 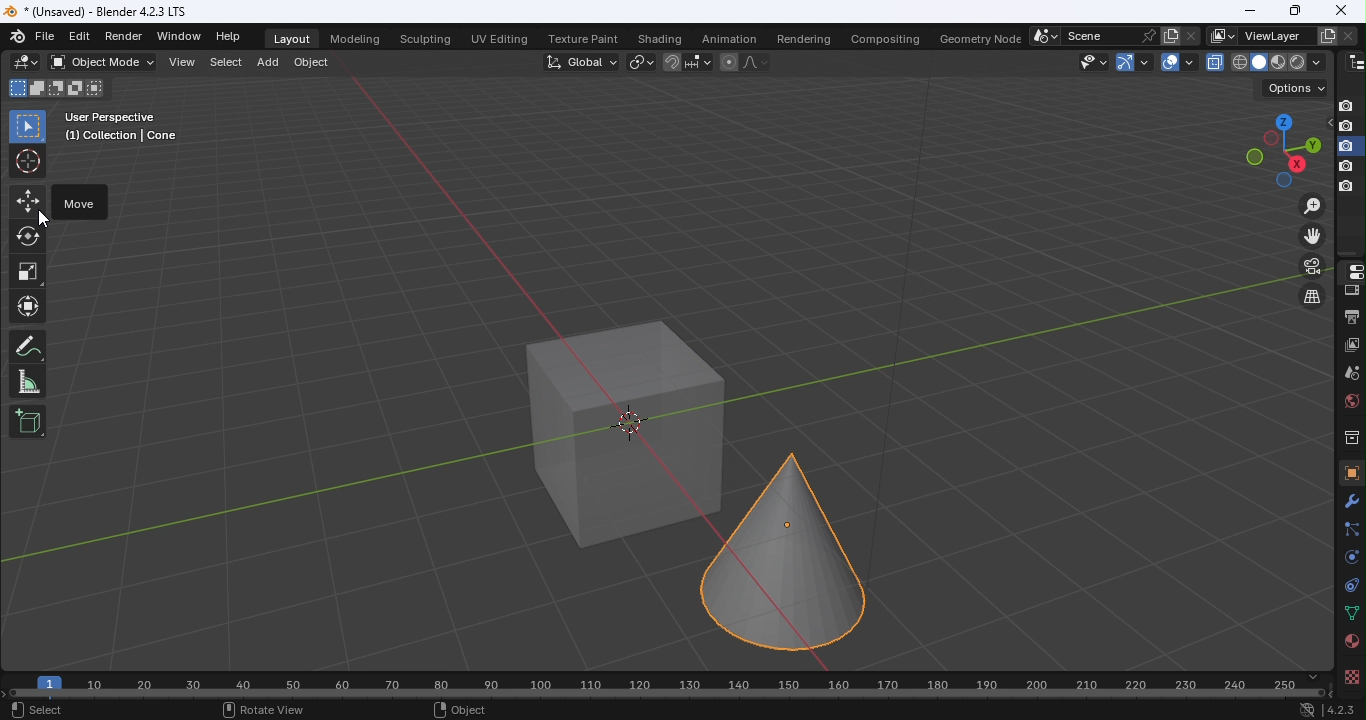 I want to click on View, so click(x=180, y=64).